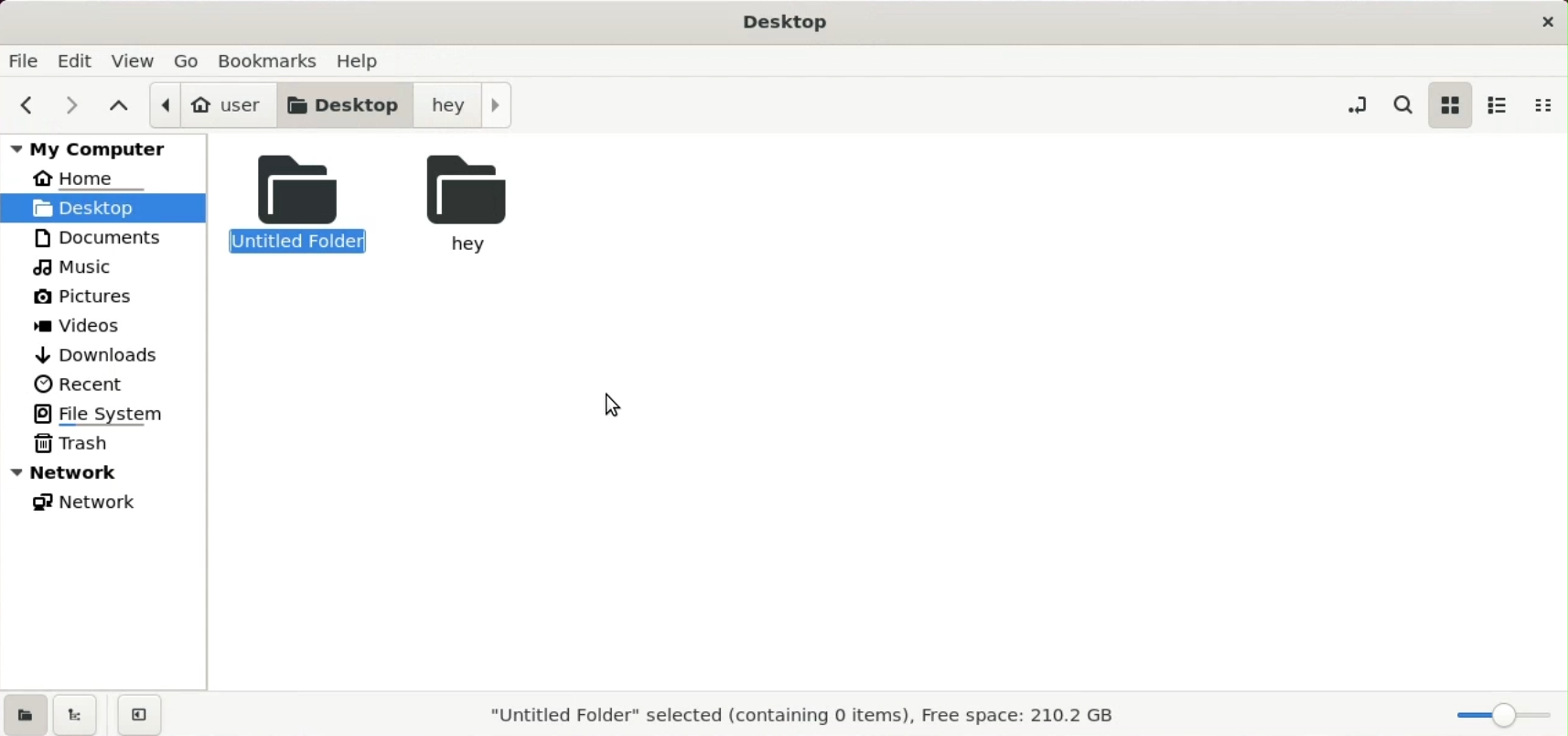 The height and width of the screenshot is (736, 1568). I want to click on file system, so click(102, 412).